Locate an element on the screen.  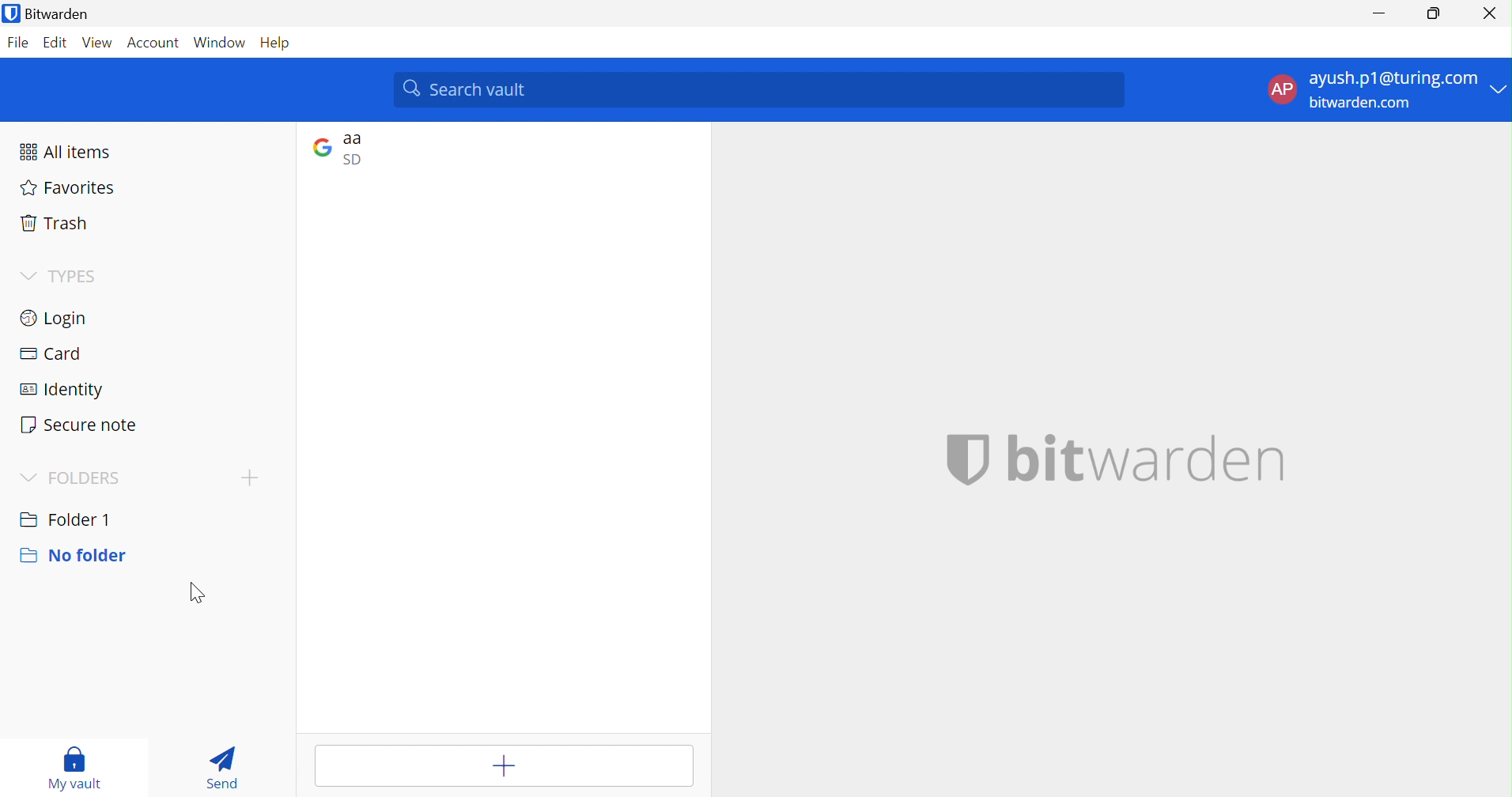
Secure note is located at coordinates (79, 427).